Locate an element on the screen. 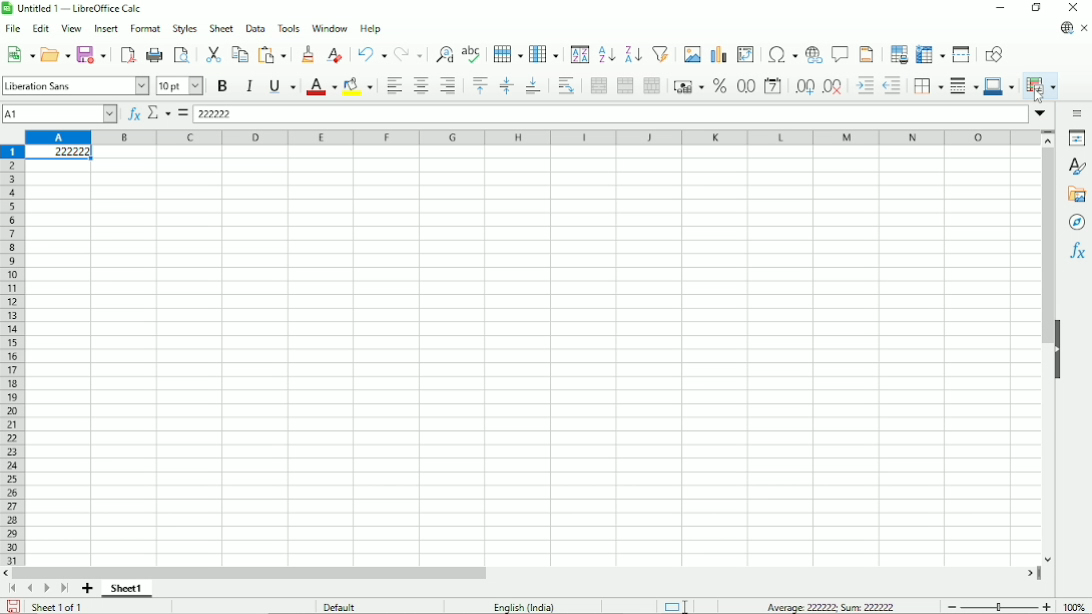  Decrease indent is located at coordinates (894, 86).